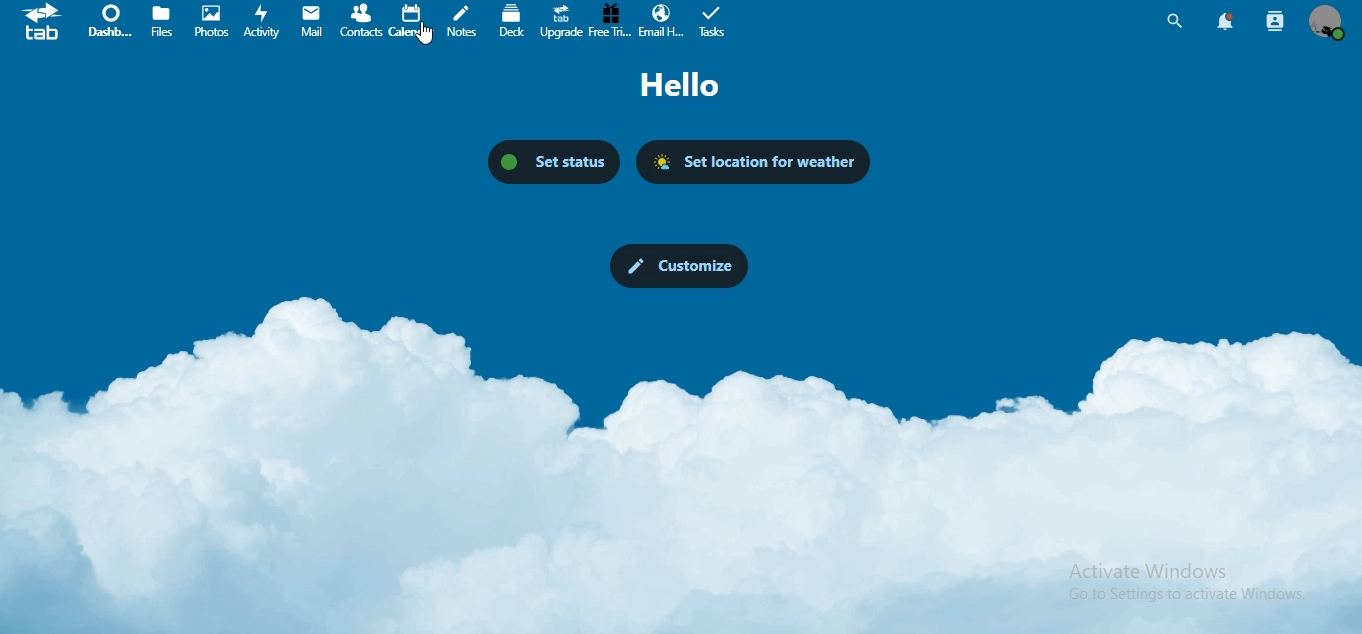  Describe the element at coordinates (314, 19) in the screenshot. I see `mail` at that location.